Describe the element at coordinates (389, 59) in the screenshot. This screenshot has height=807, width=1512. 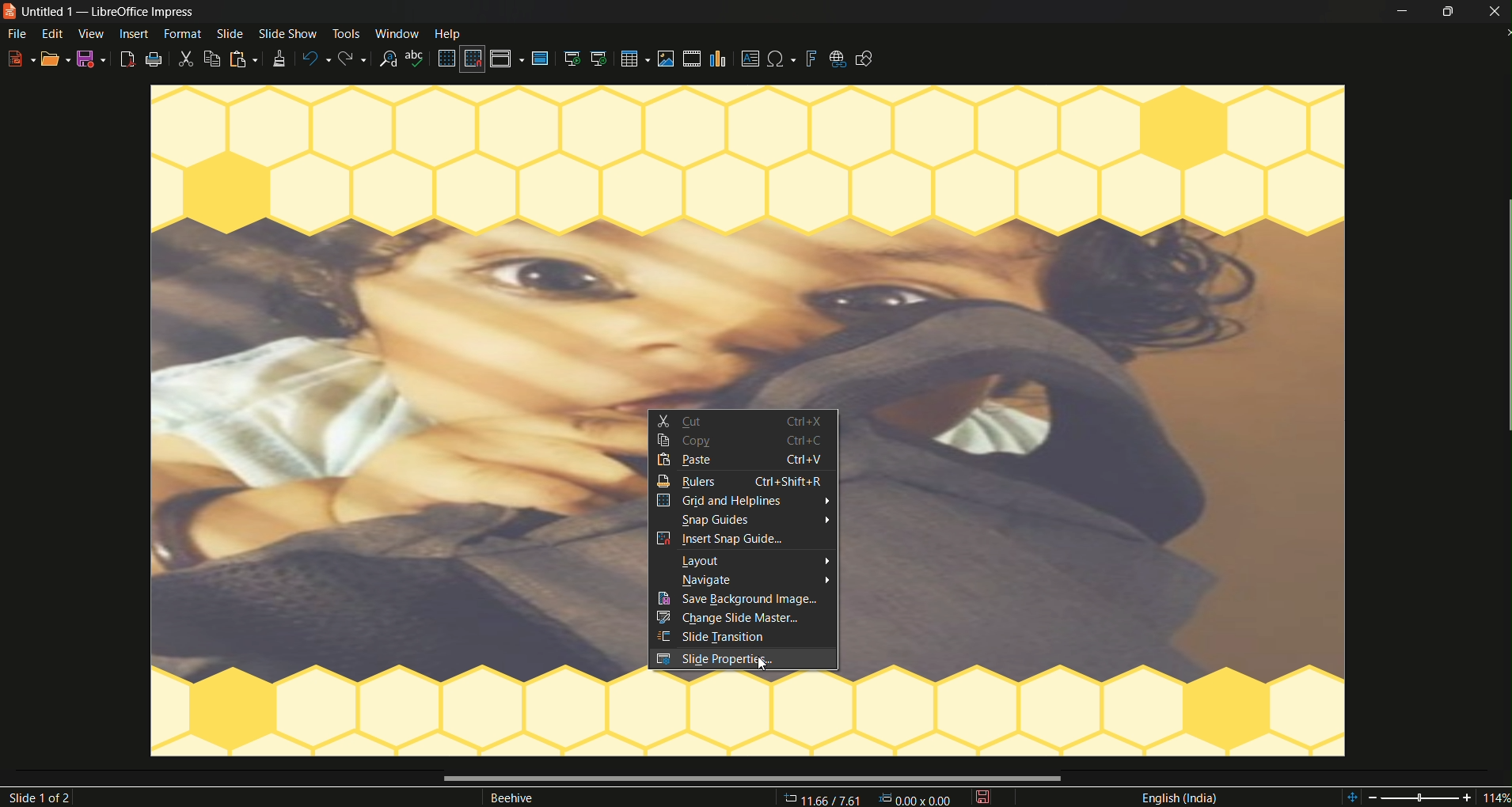
I see `find and replace` at that location.